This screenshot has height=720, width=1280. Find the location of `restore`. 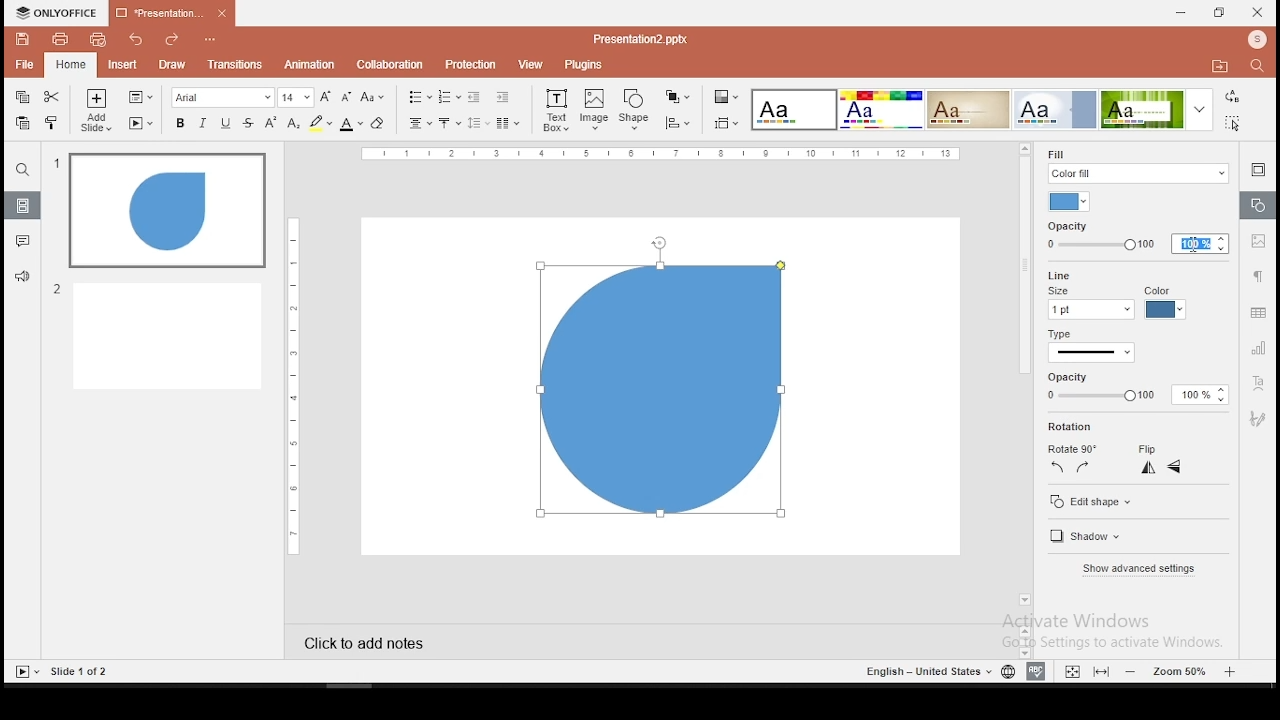

restore is located at coordinates (1218, 14).